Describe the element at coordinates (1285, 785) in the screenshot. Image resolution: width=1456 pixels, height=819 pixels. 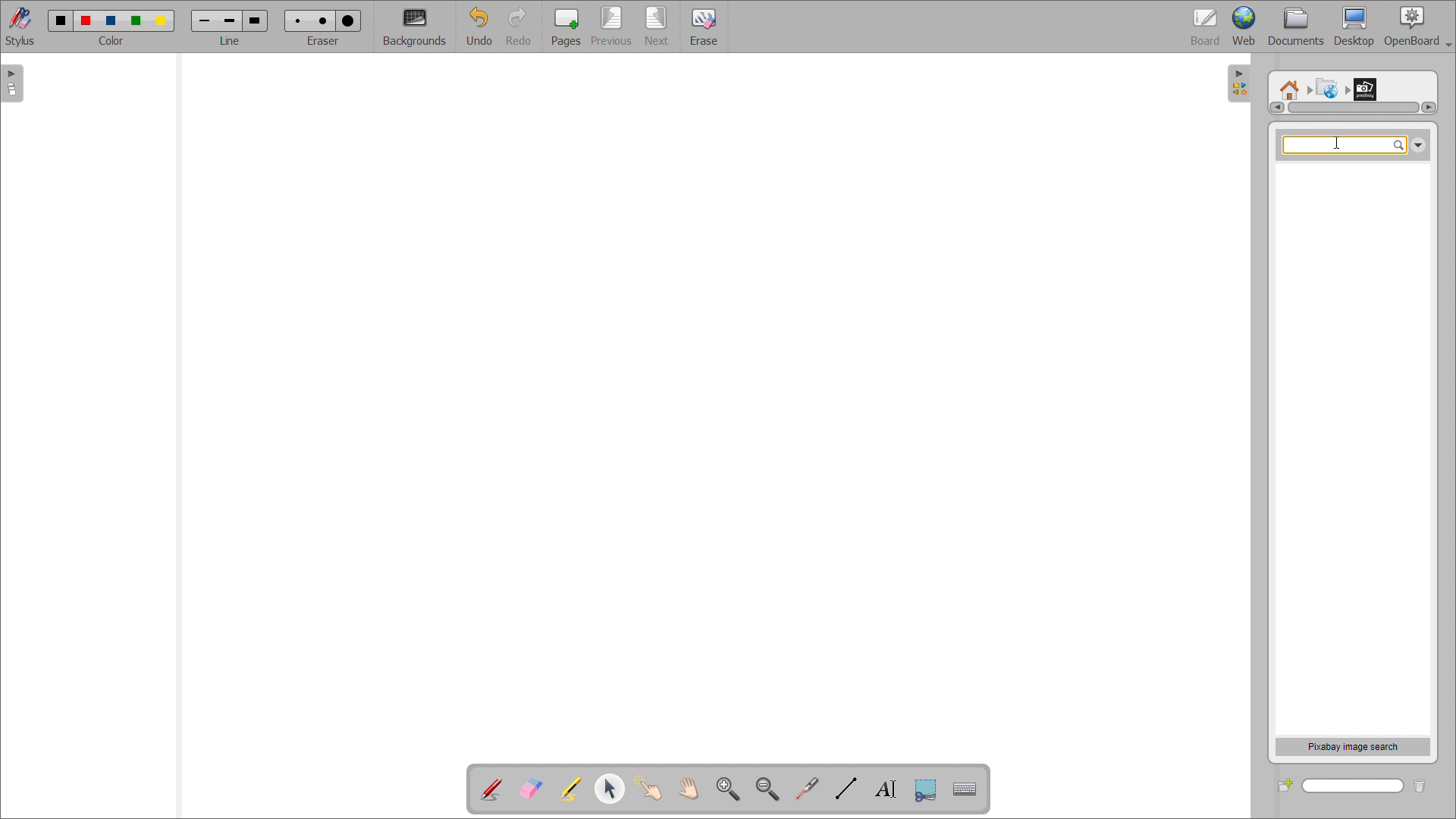
I see `add folder` at that location.